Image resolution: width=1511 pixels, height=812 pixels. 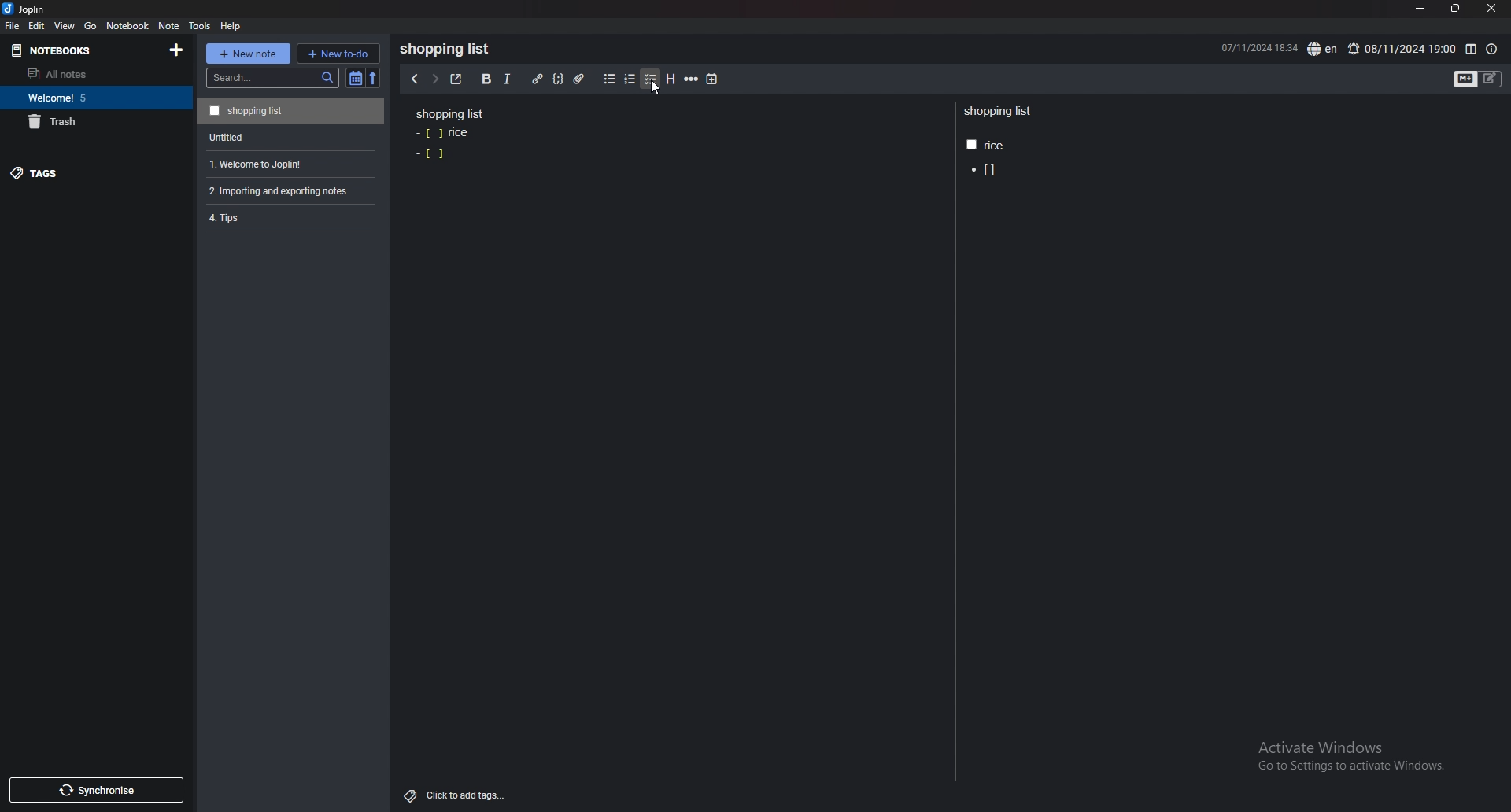 What do you see at coordinates (450, 113) in the screenshot?
I see `Shopping list` at bounding box center [450, 113].